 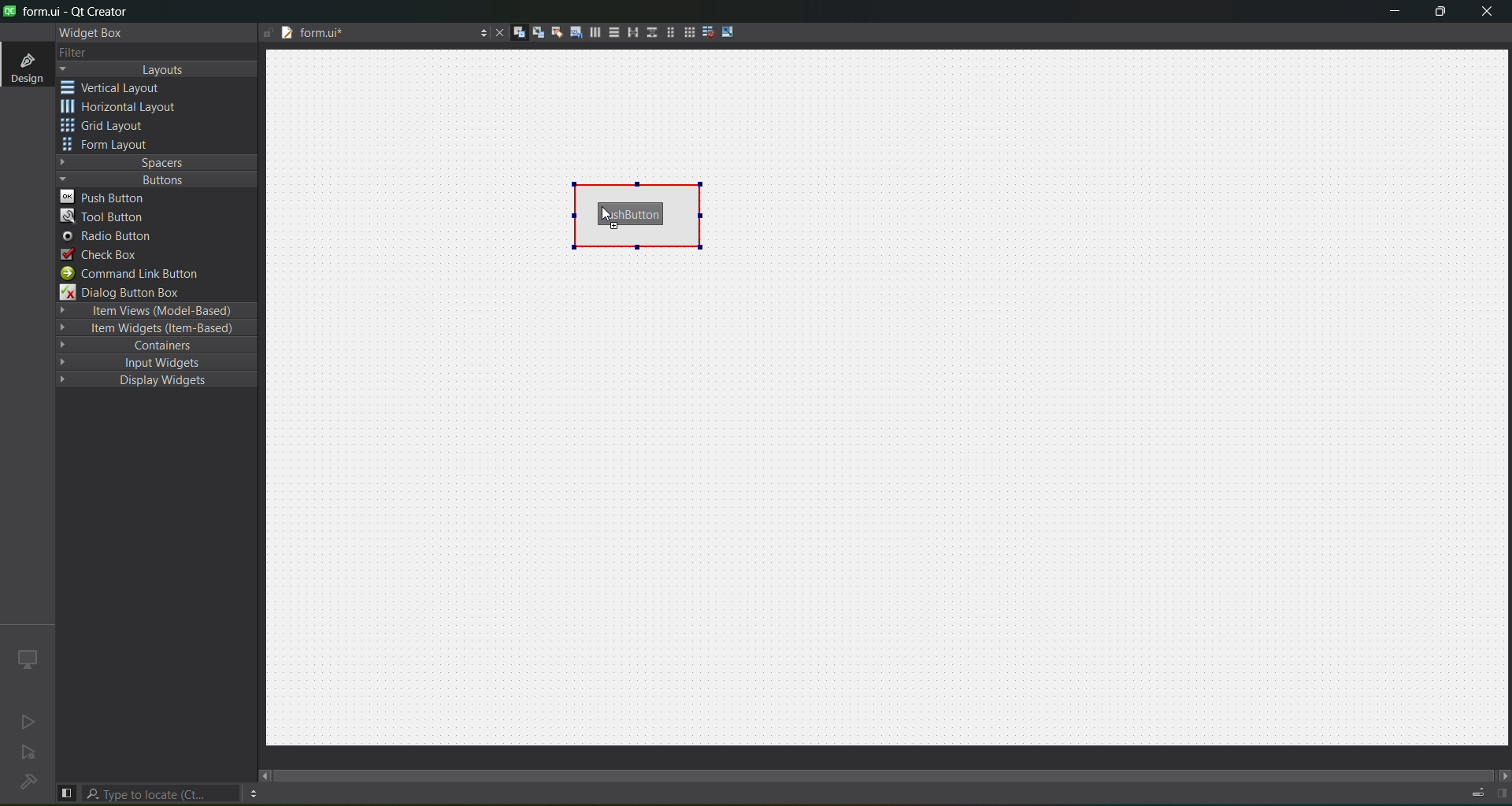 What do you see at coordinates (519, 33) in the screenshot?
I see `edit widgets` at bounding box center [519, 33].